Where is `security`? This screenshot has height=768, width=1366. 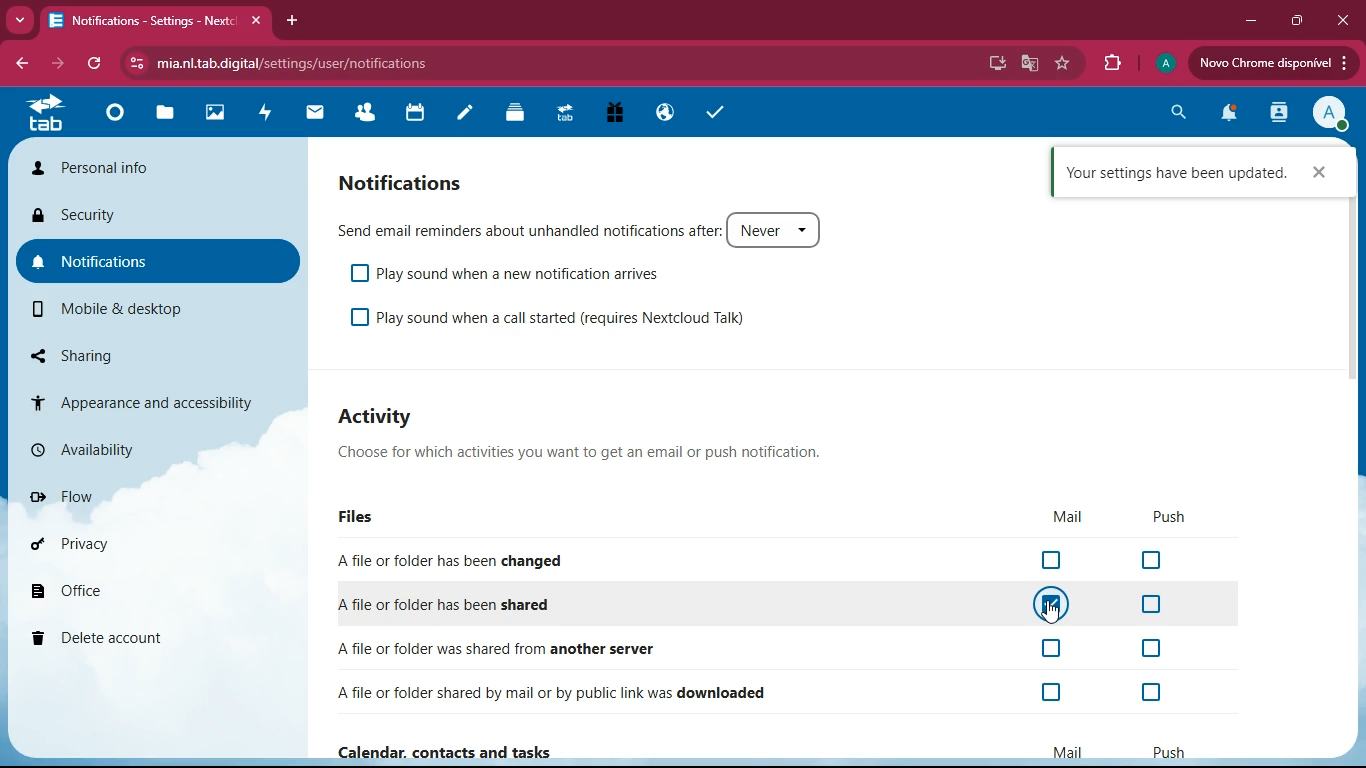 security is located at coordinates (140, 208).